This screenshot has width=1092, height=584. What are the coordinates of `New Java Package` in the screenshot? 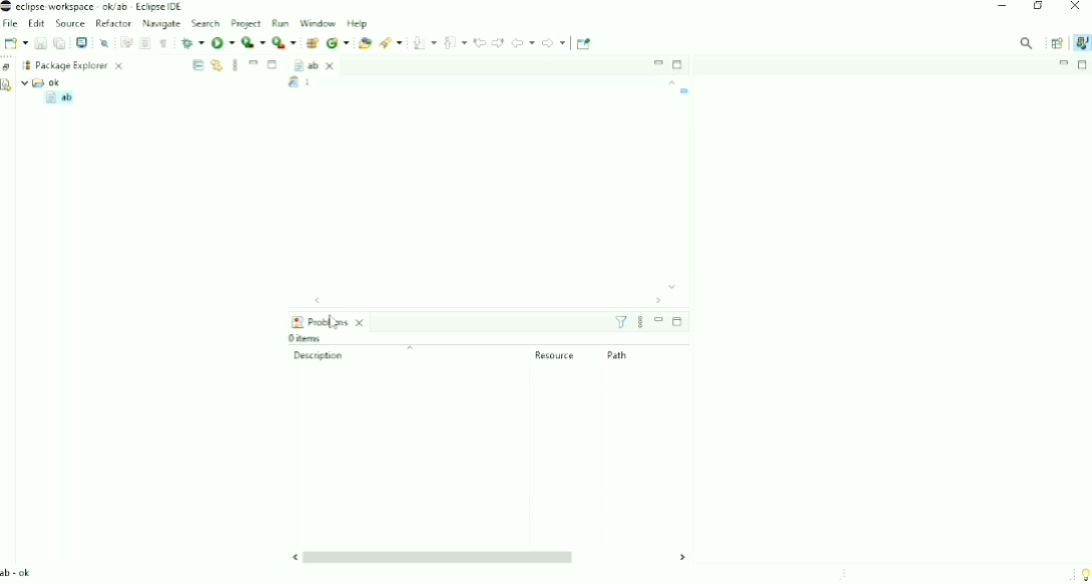 It's located at (311, 43).